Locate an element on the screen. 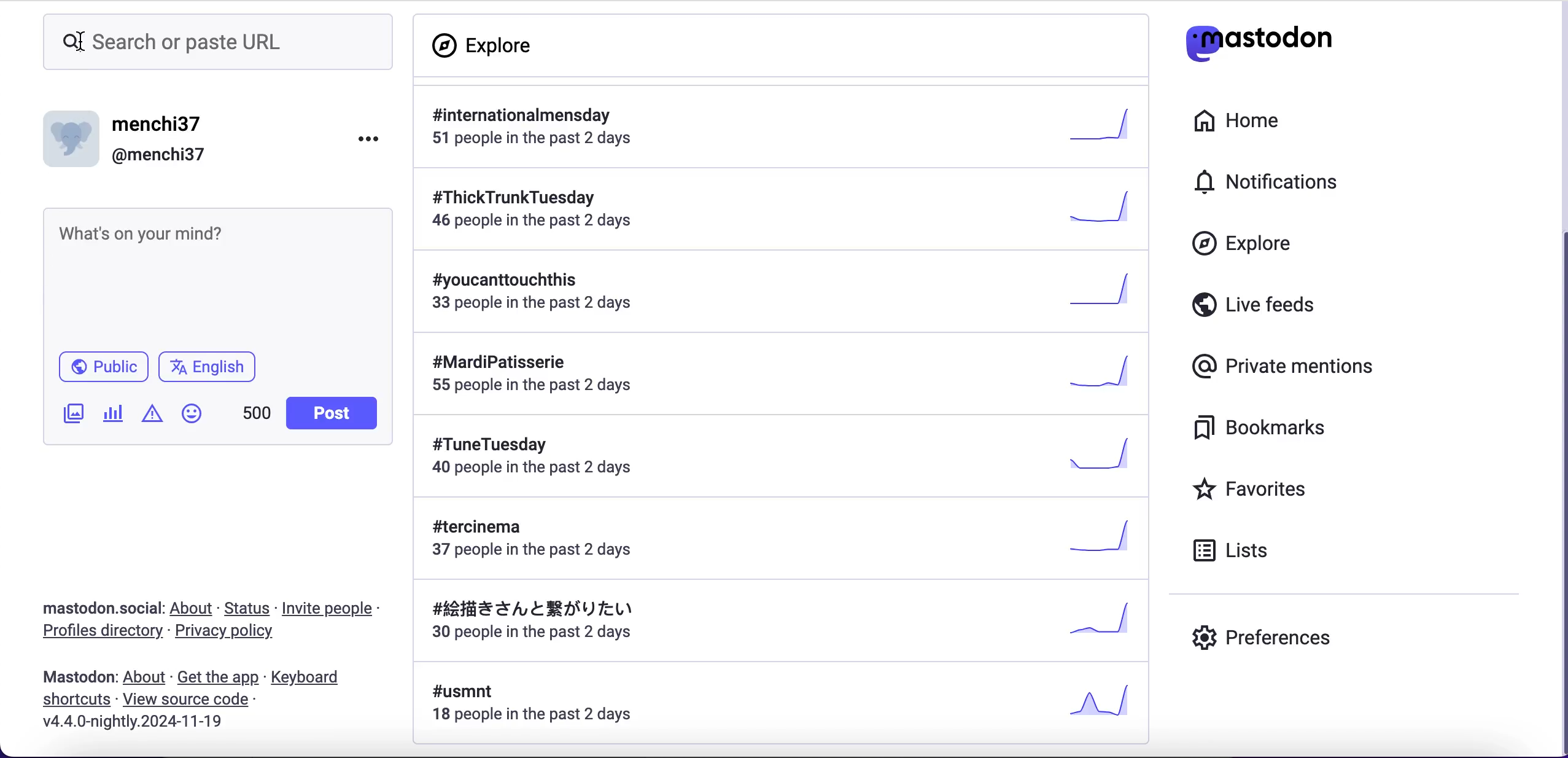 This screenshot has width=1568, height=758. preferences is located at coordinates (1261, 641).